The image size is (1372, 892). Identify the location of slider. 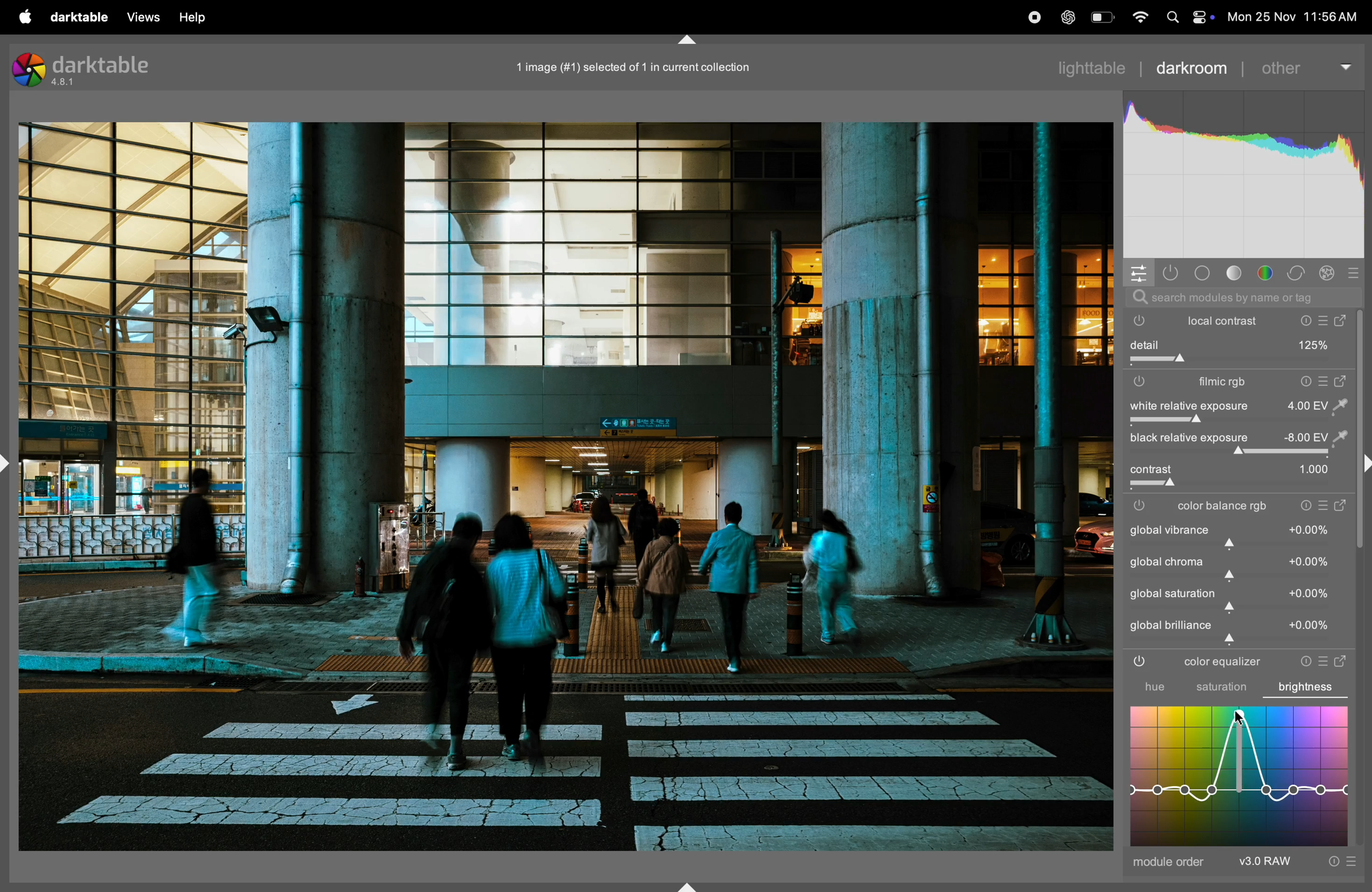
(1242, 577).